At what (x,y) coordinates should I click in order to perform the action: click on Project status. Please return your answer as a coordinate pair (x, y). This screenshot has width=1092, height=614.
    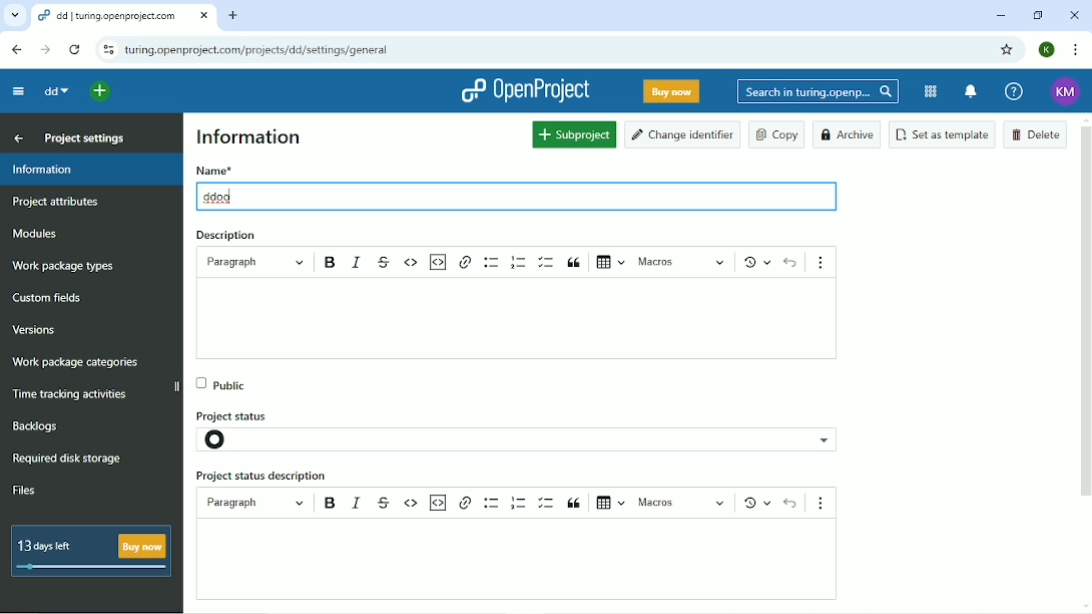
    Looking at the image, I should click on (243, 411).